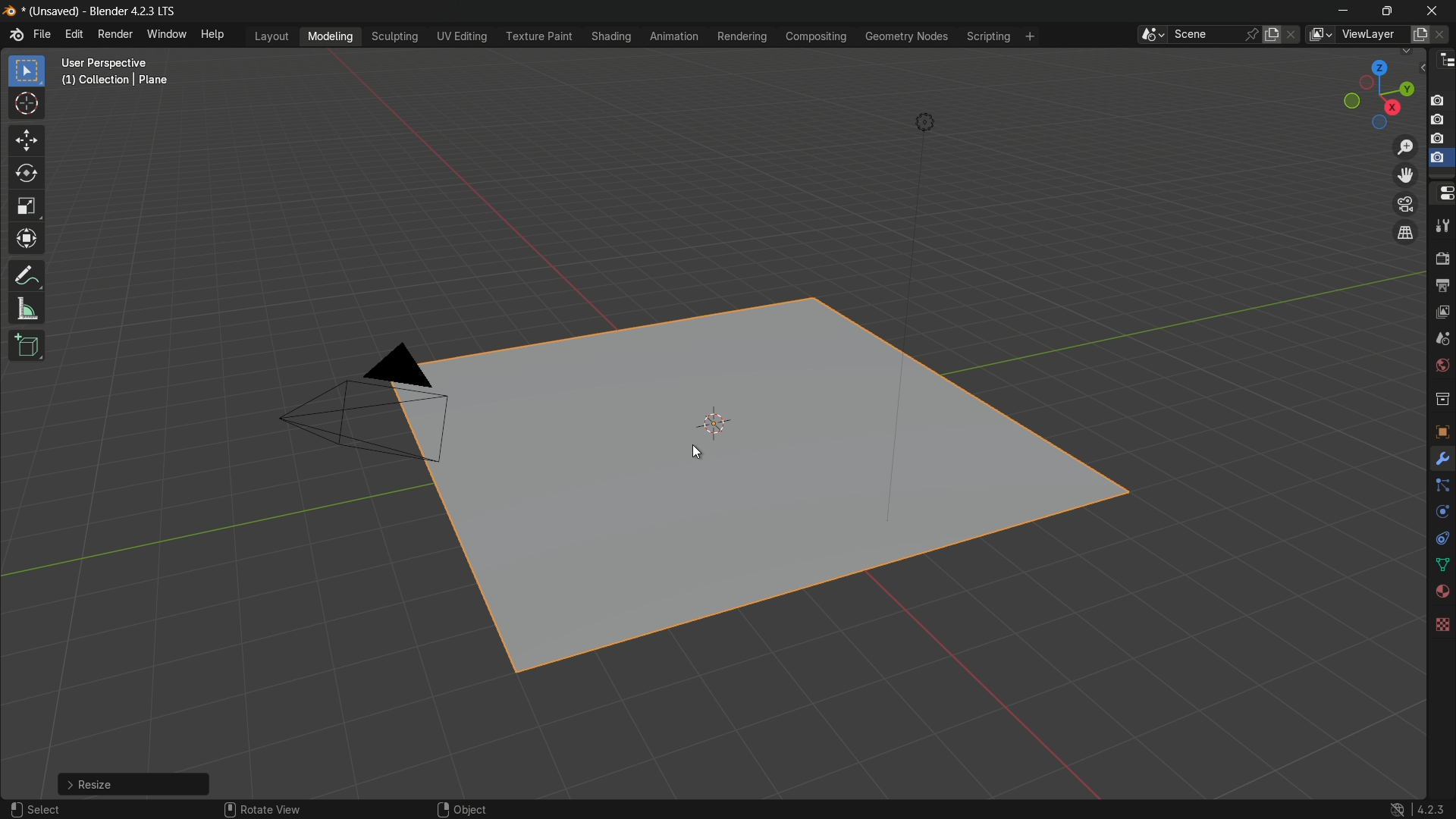  Describe the element at coordinates (1441, 97) in the screenshot. I see `capture` at that location.